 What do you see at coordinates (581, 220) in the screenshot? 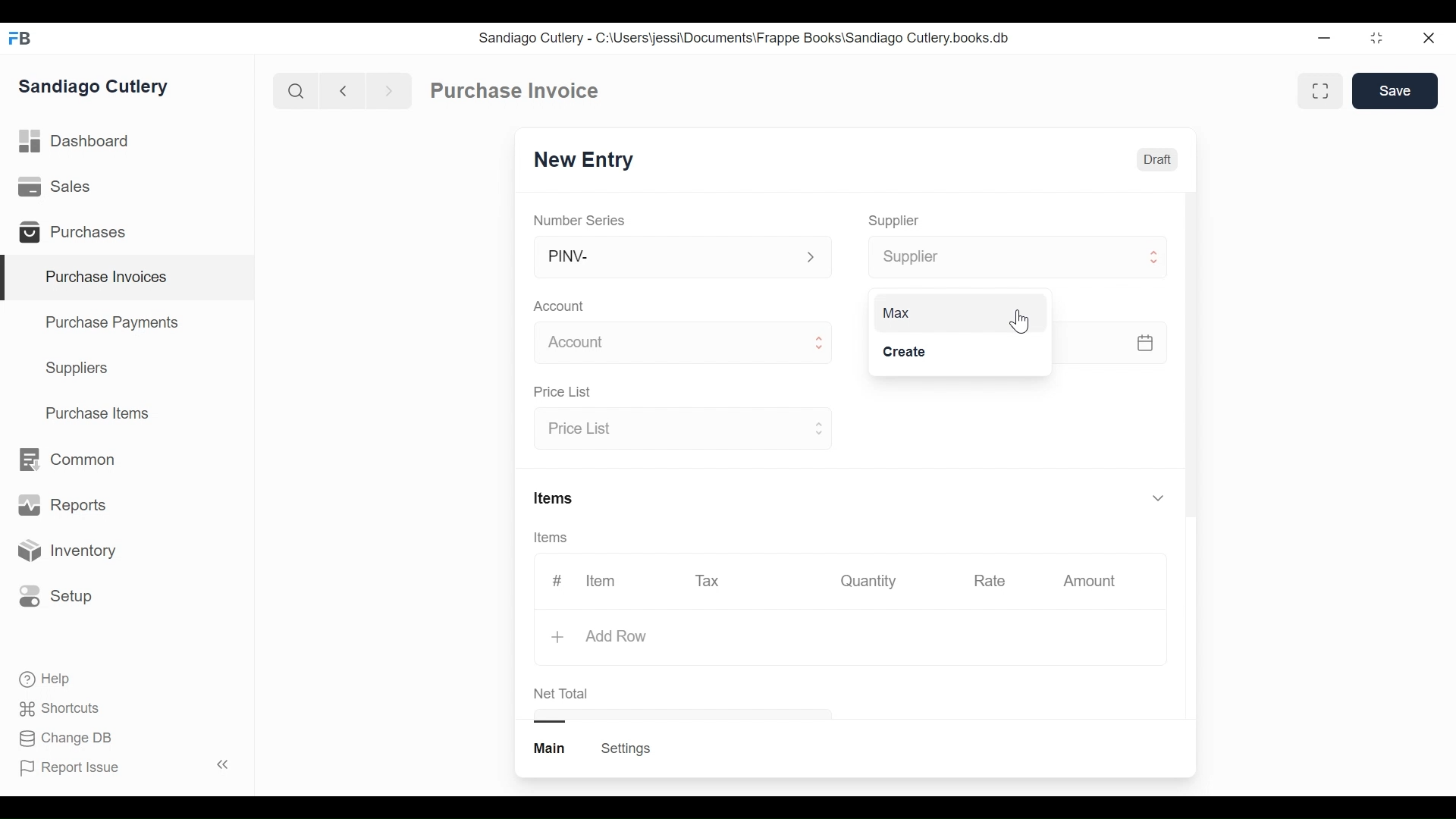
I see `Number Series` at bounding box center [581, 220].